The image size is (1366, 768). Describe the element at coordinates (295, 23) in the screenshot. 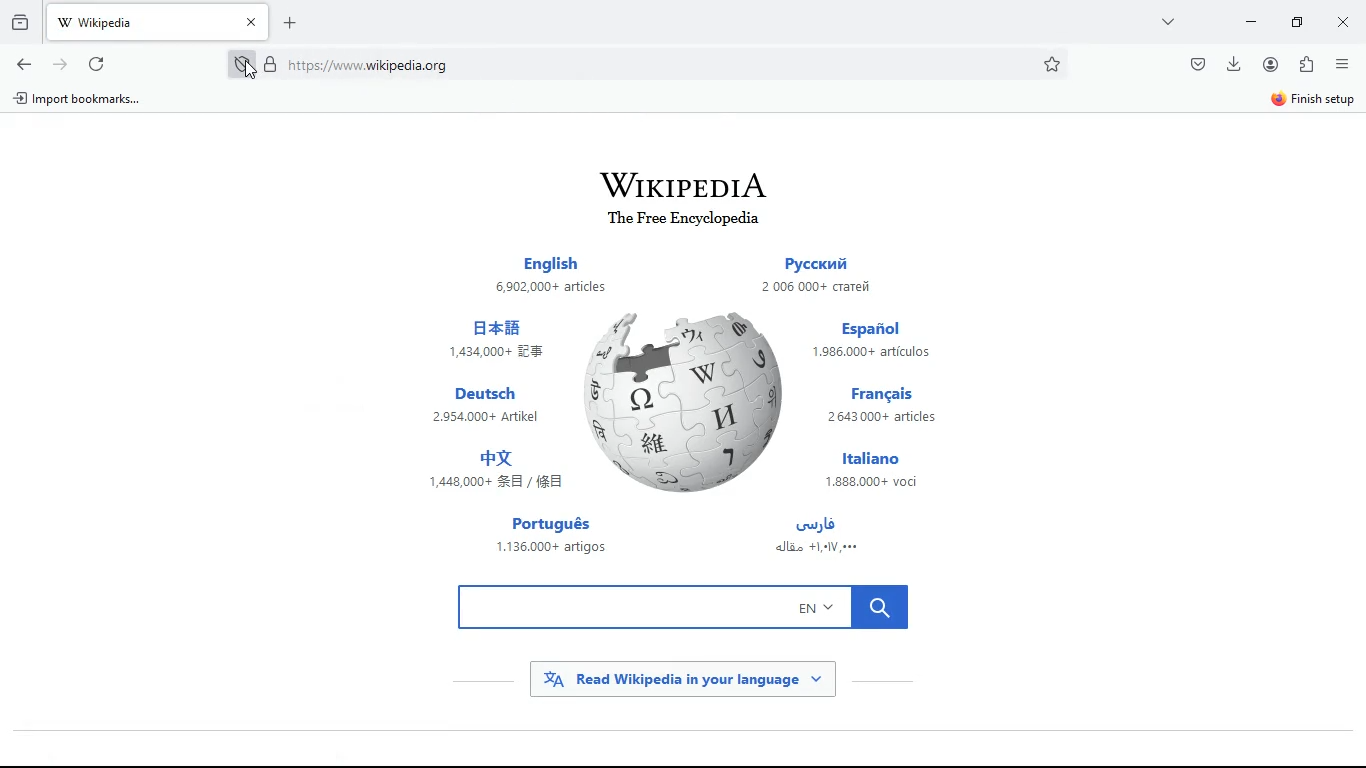

I see `add new tab` at that location.